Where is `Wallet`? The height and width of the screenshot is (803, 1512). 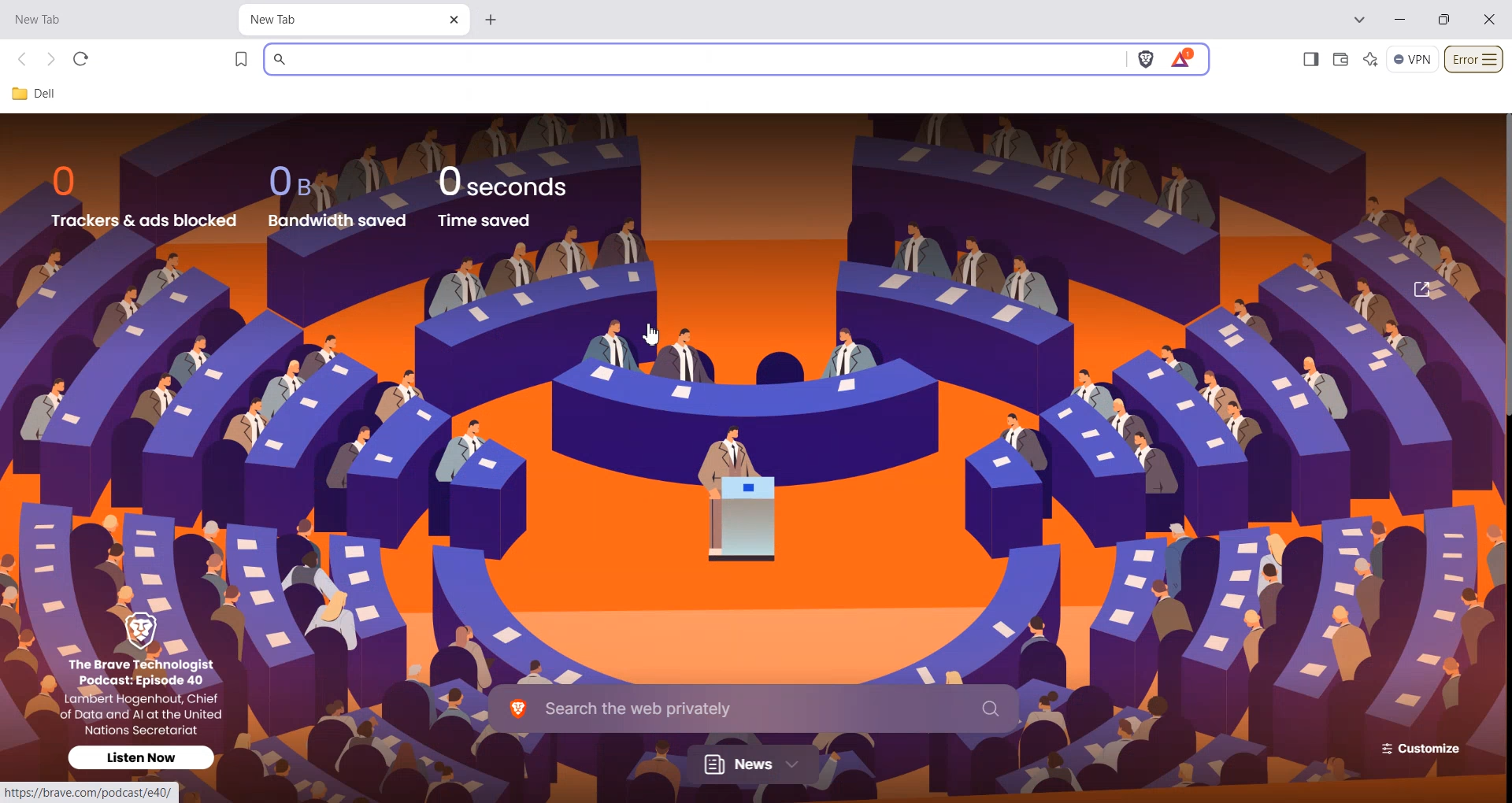 Wallet is located at coordinates (1340, 59).